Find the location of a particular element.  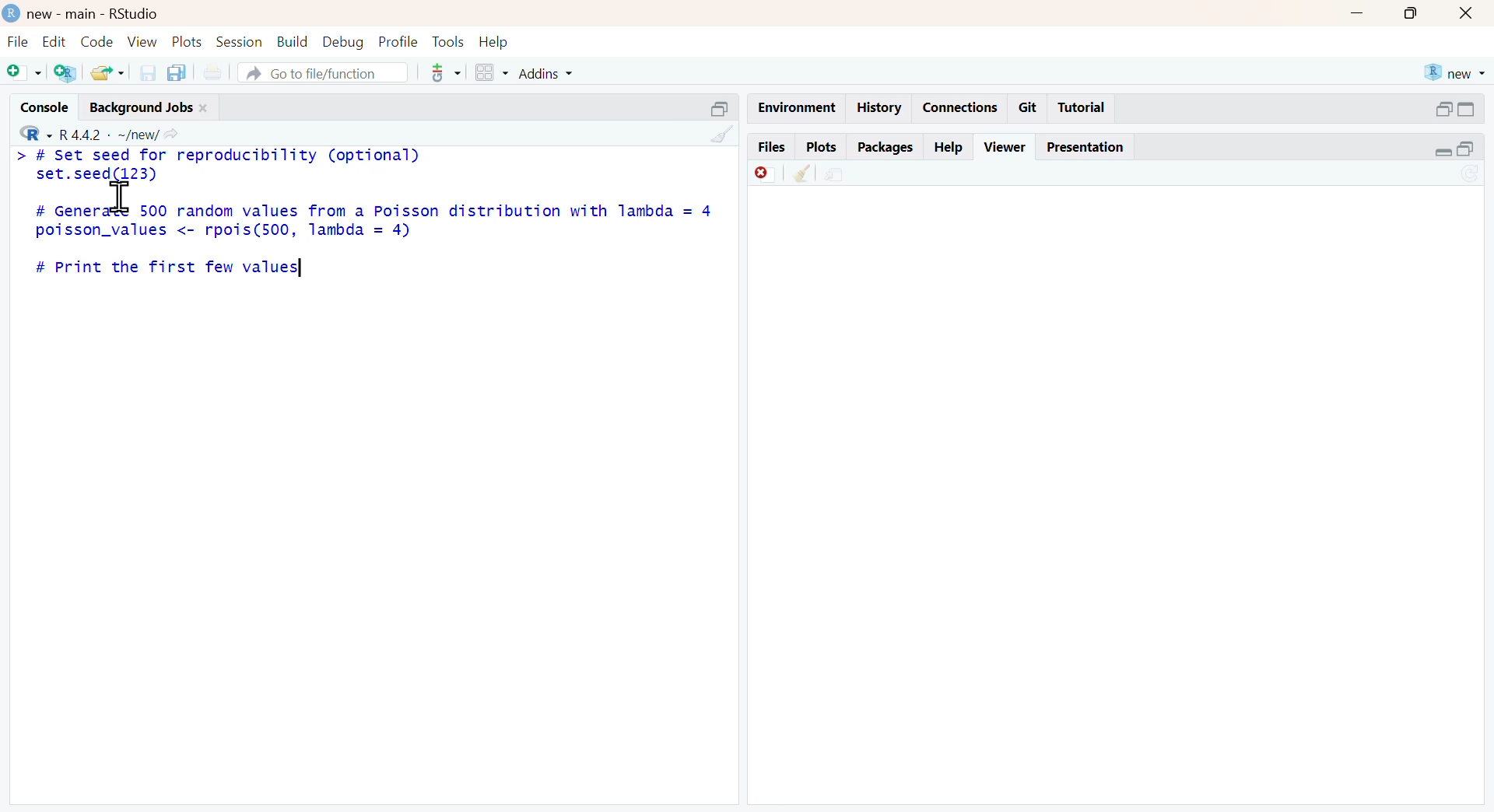

Minimise  is located at coordinates (1360, 12).